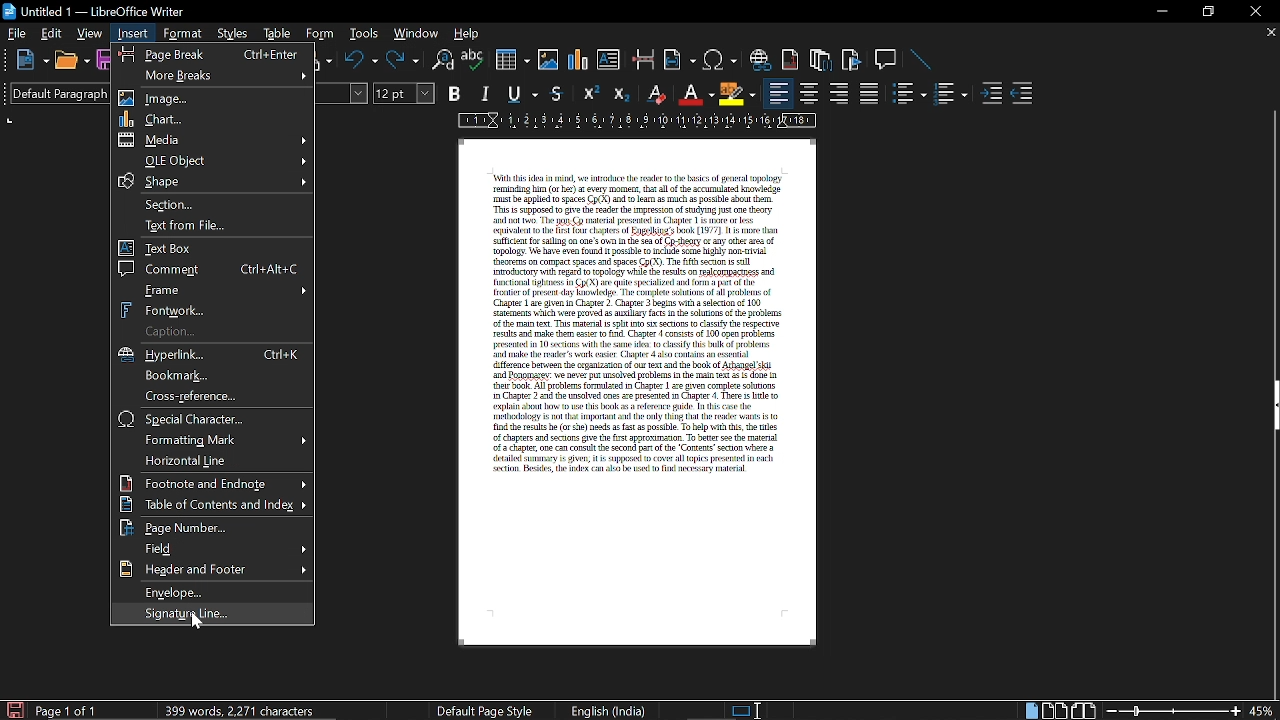  I want to click on view, so click(90, 32).